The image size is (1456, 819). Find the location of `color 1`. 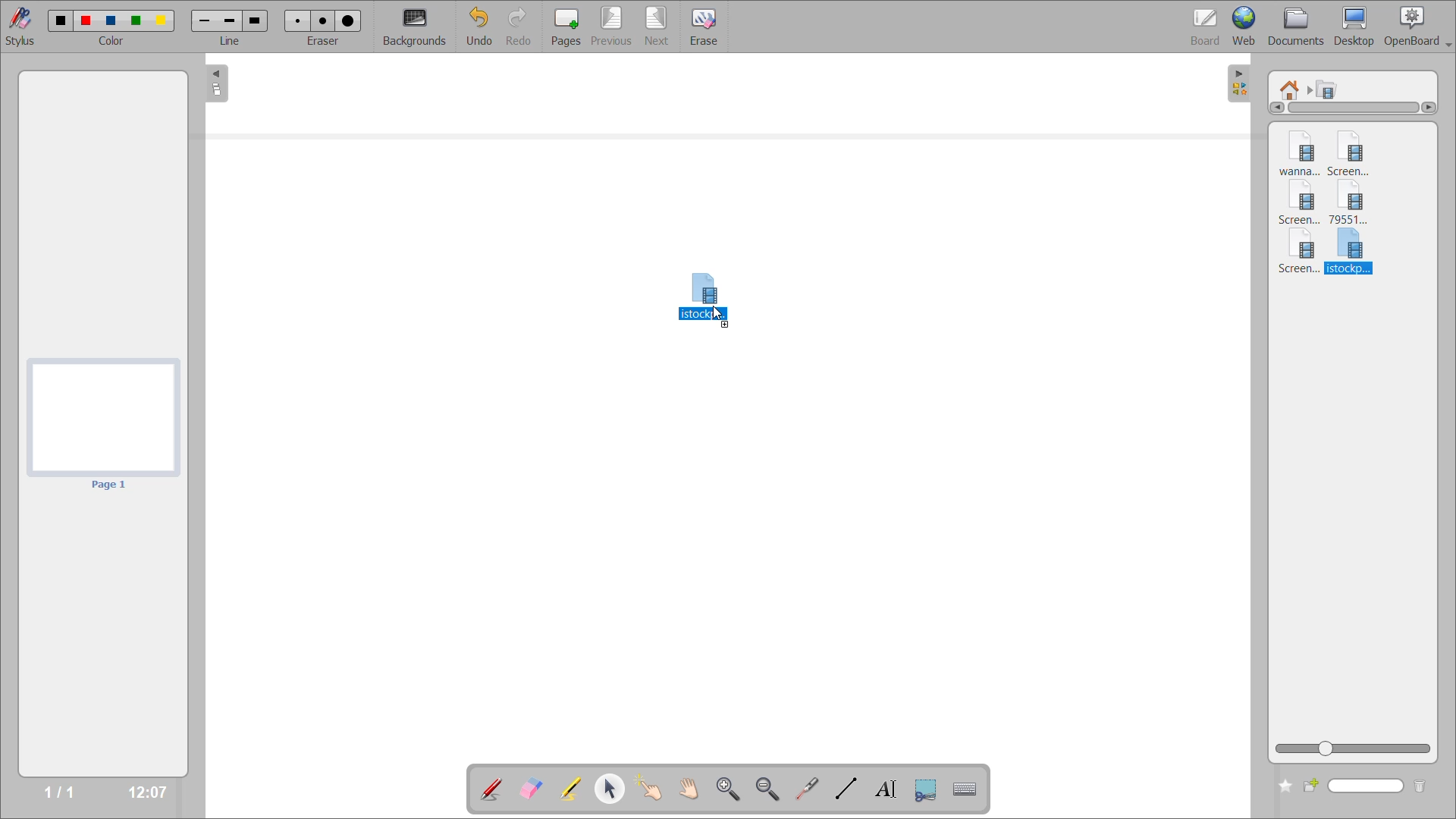

color 1 is located at coordinates (60, 18).